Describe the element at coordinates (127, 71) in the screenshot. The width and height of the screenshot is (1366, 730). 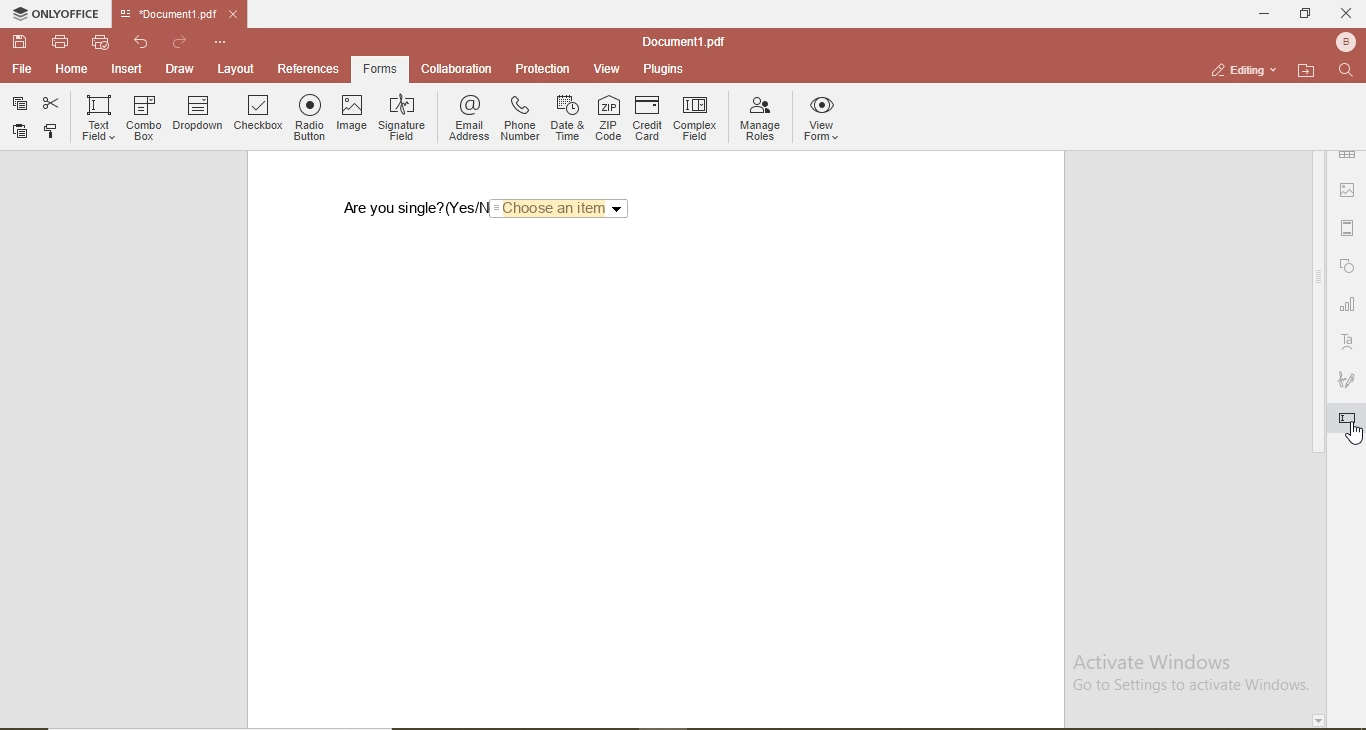
I see `insert` at that location.